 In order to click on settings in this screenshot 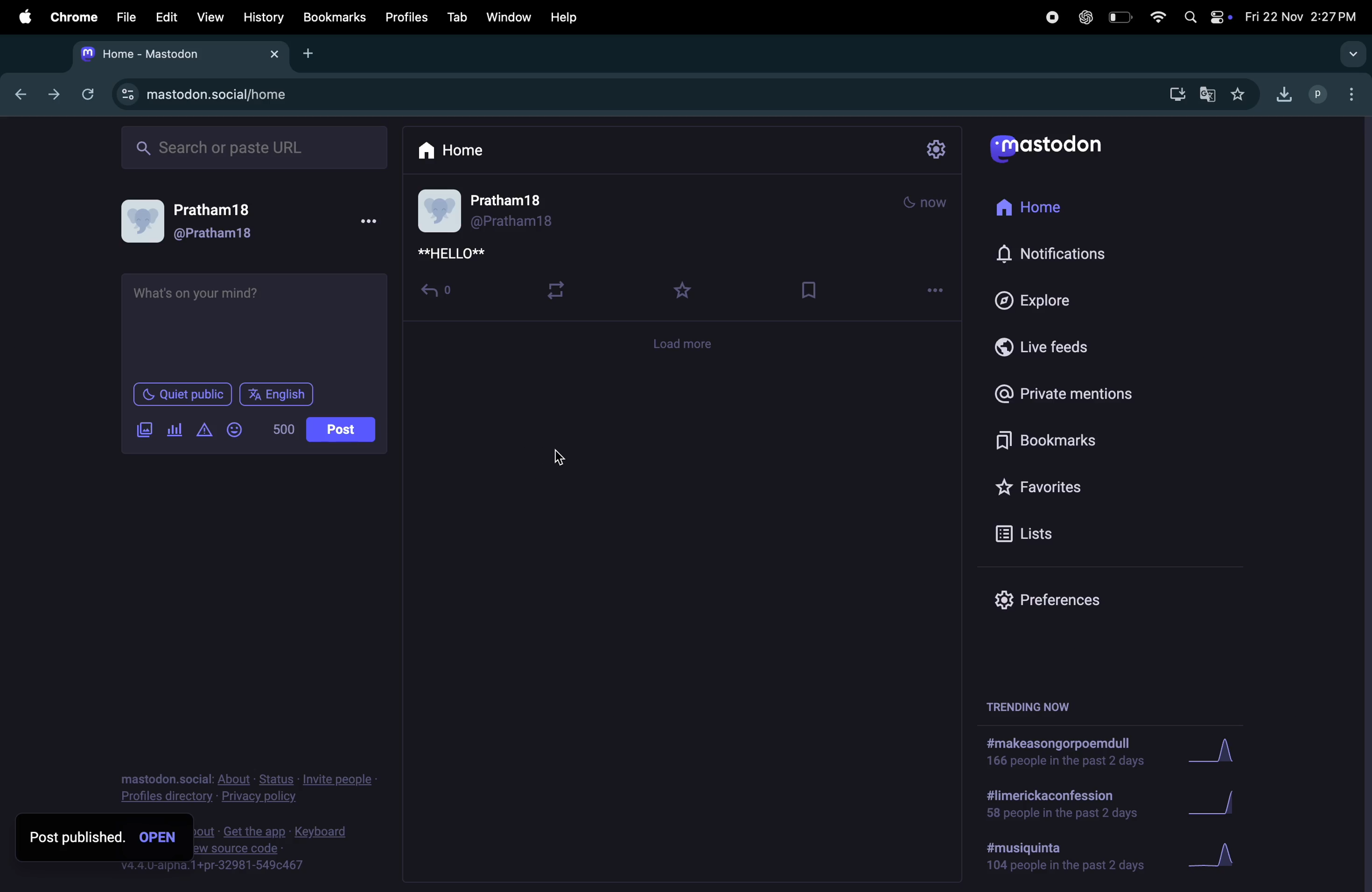, I will do `click(937, 150)`.